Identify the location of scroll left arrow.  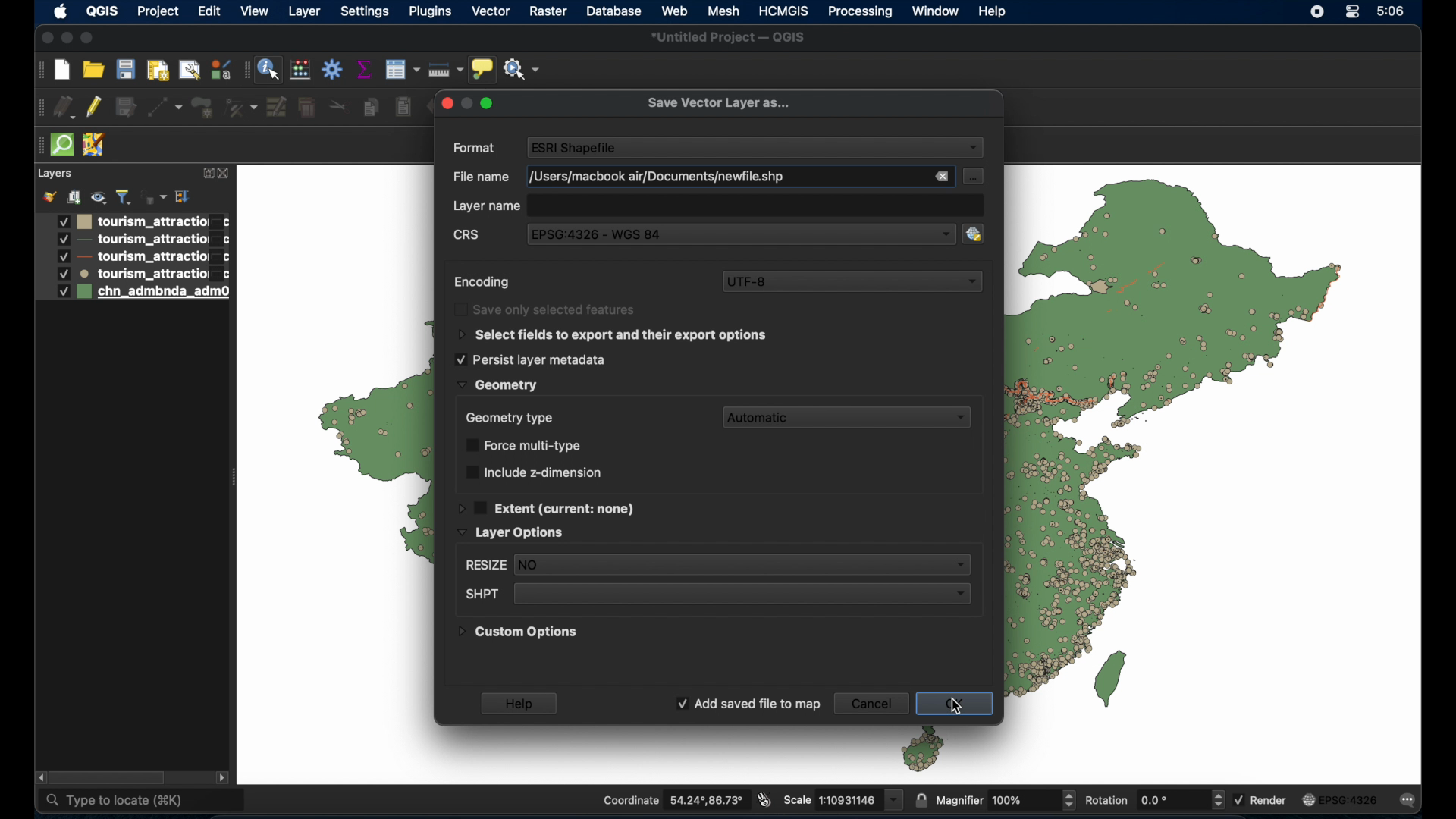
(42, 778).